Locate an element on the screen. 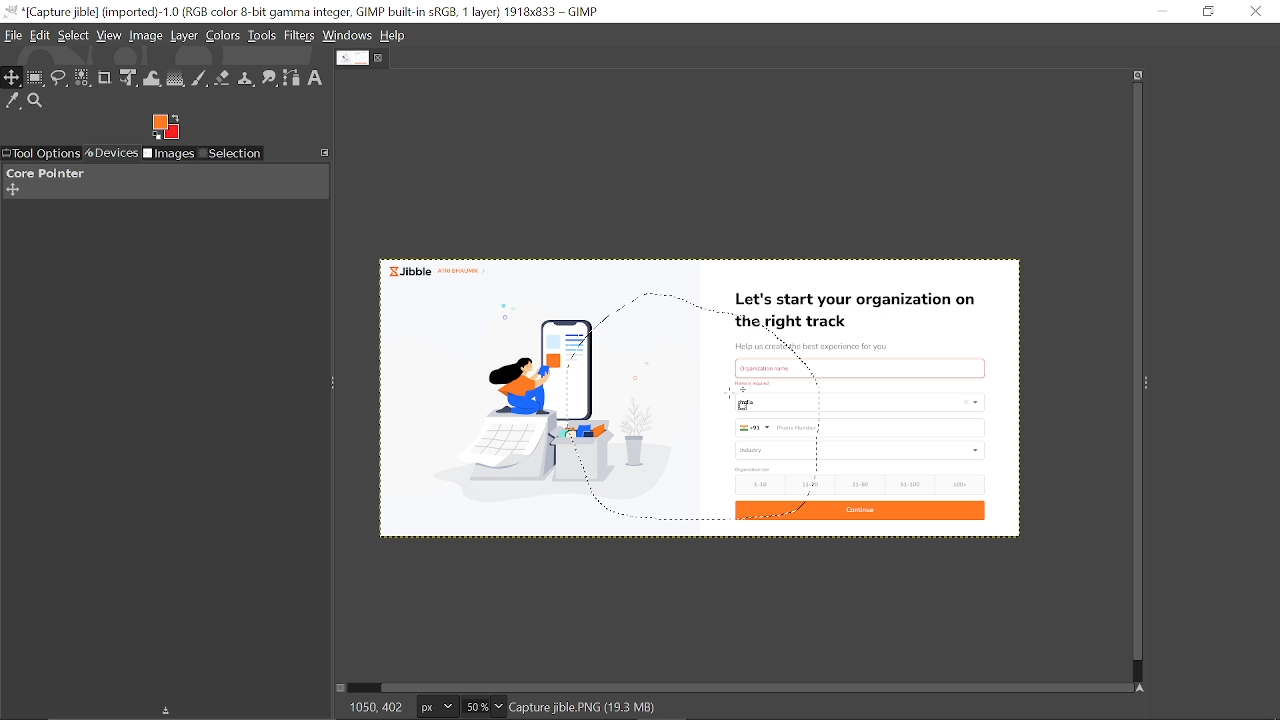 The image size is (1280, 720). Free select tool is located at coordinates (60, 79).